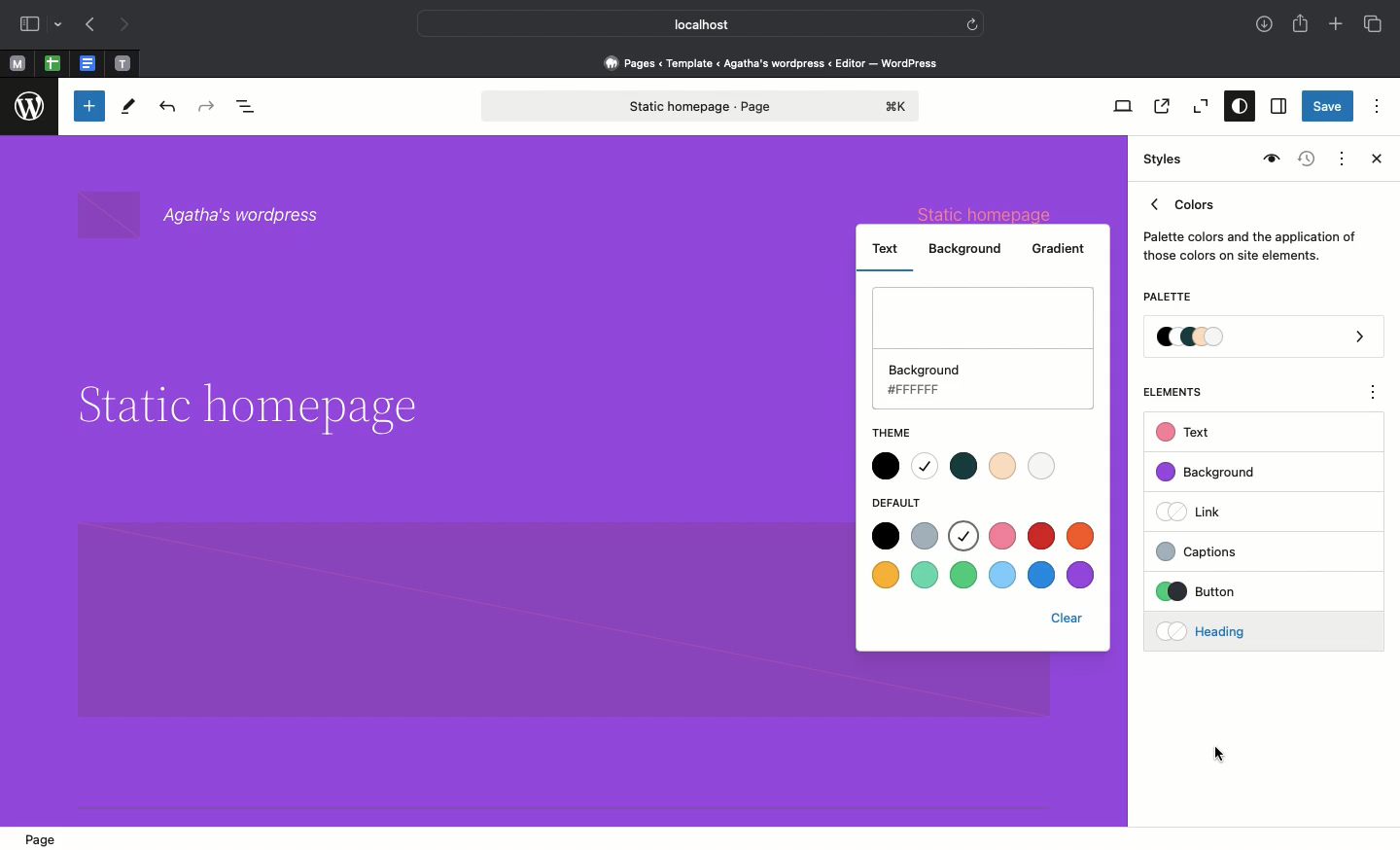  Describe the element at coordinates (210, 216) in the screenshot. I see `wordpress name` at that location.